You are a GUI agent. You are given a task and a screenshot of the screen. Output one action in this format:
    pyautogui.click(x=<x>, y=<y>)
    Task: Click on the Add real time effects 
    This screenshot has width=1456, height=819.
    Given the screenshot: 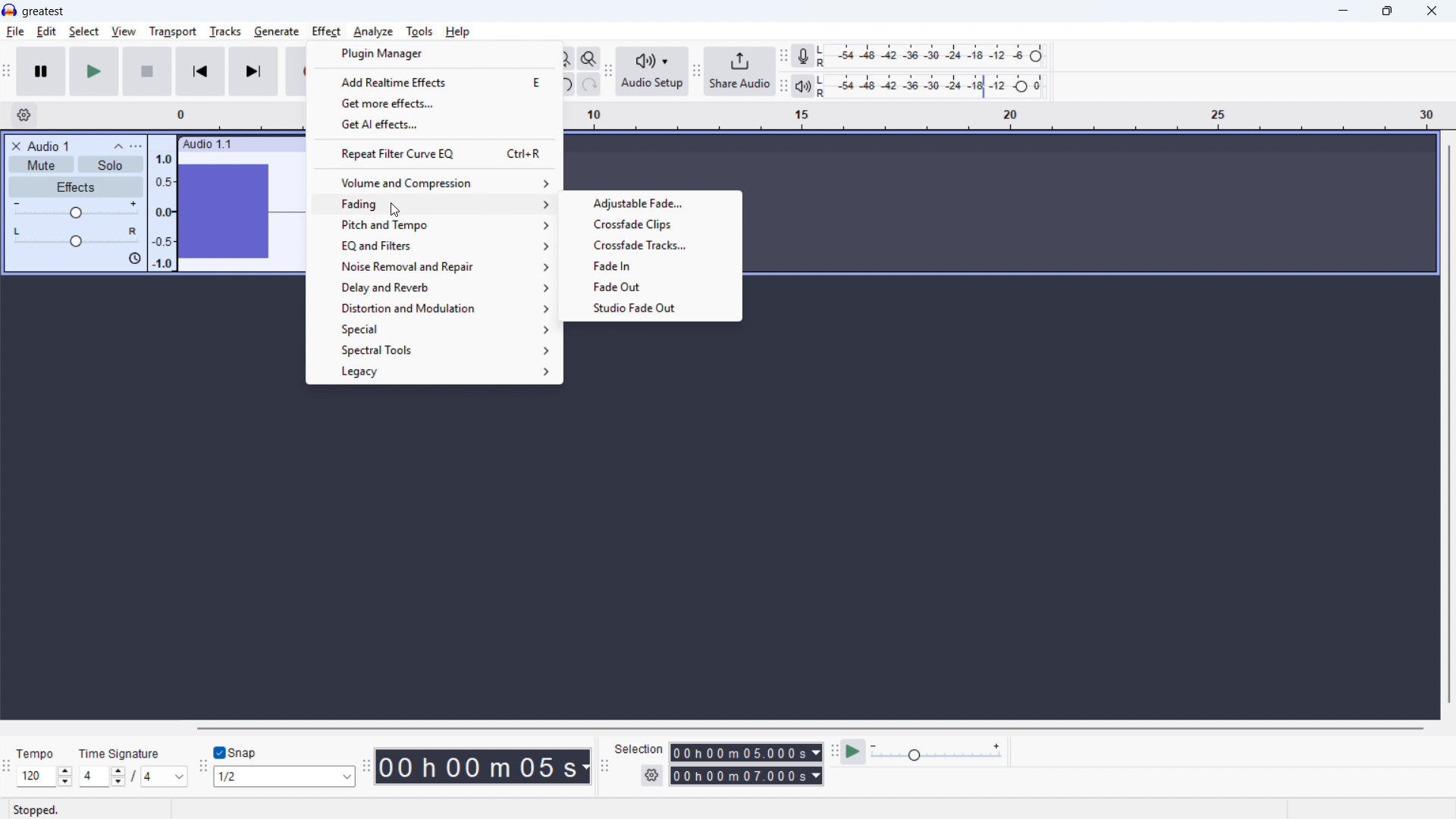 What is the action you would take?
    pyautogui.click(x=434, y=81)
    